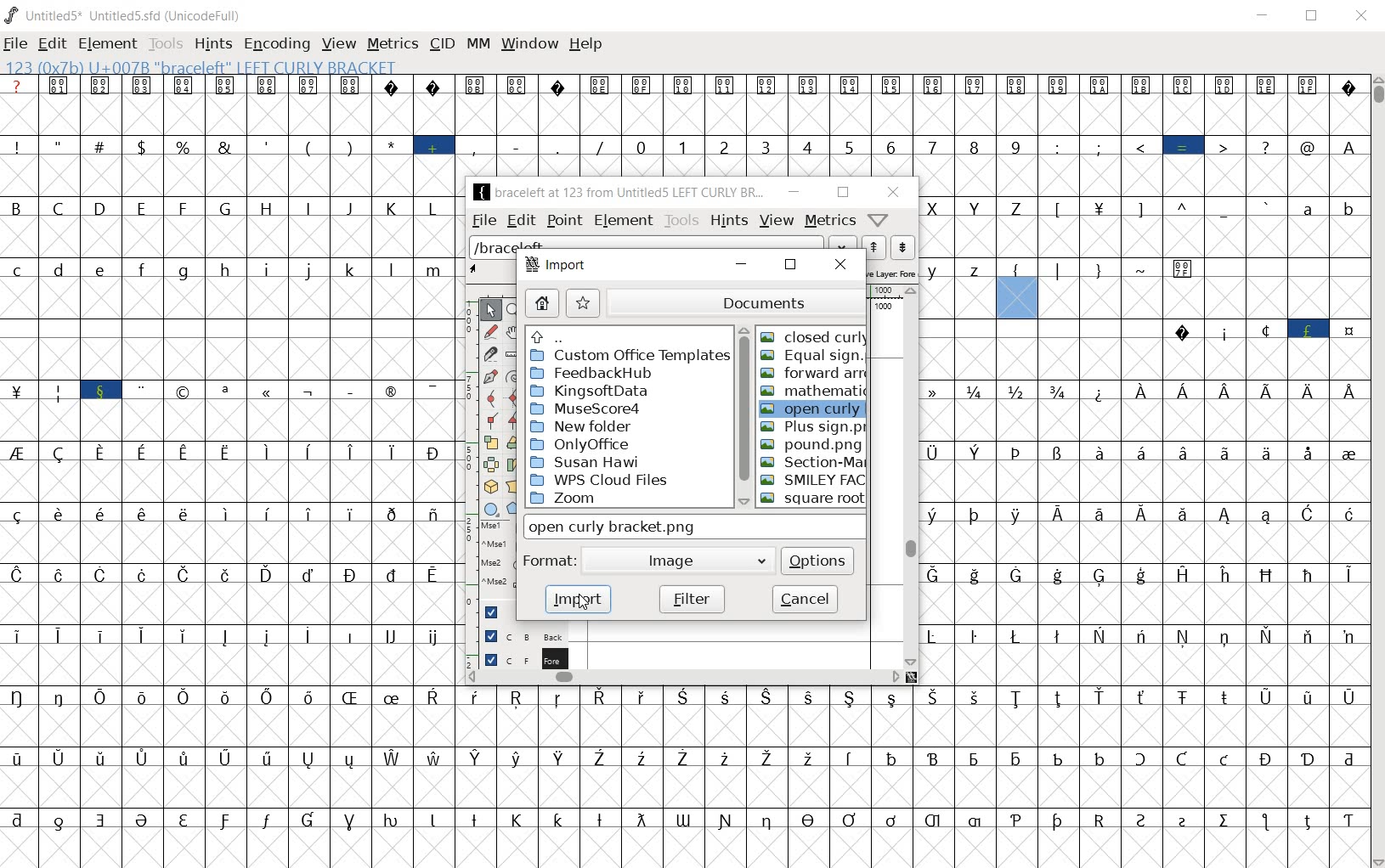  I want to click on flip the selection, so click(489, 465).